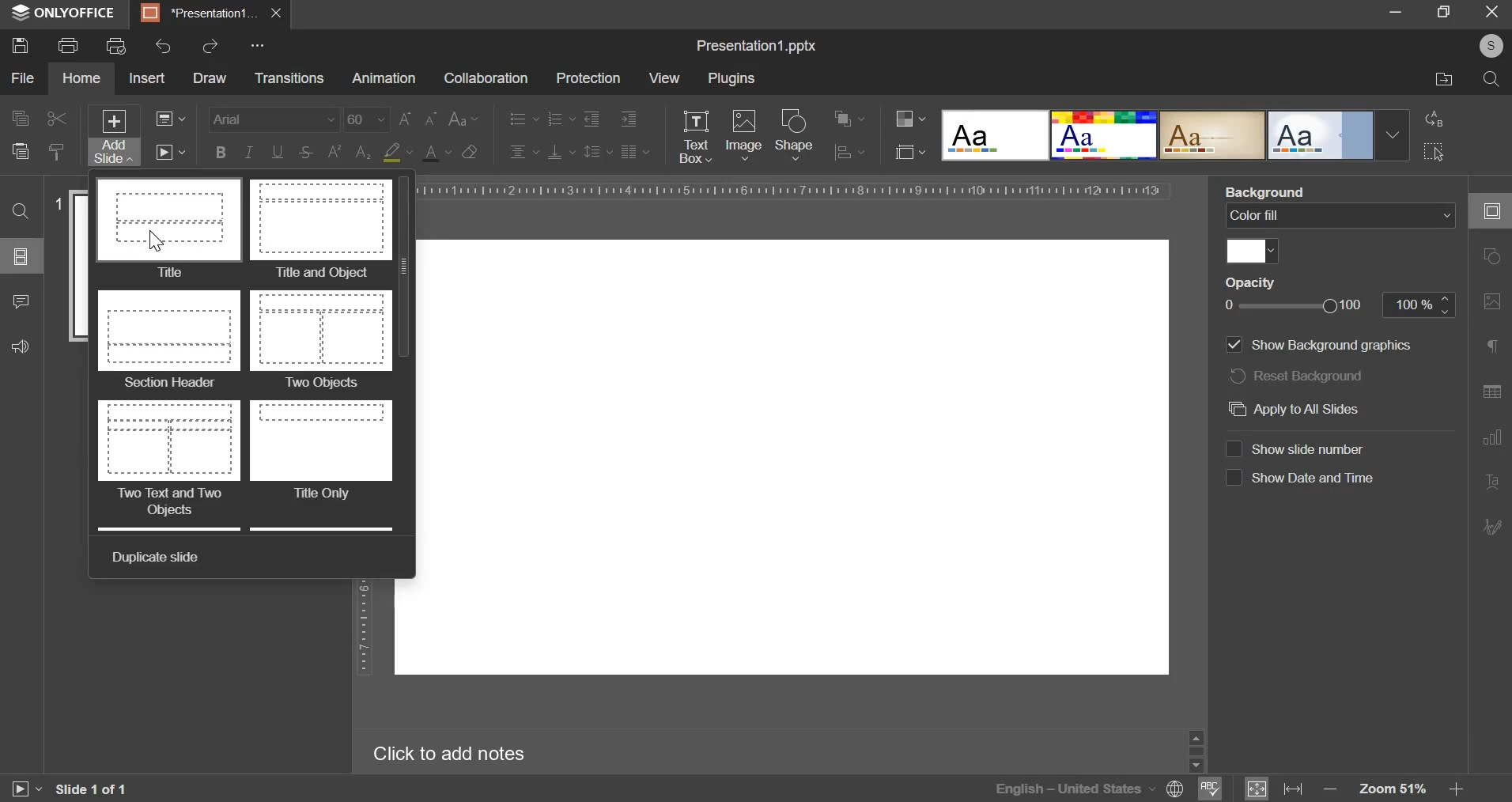 This screenshot has height=802, width=1512. I want to click on find, so click(20, 210).